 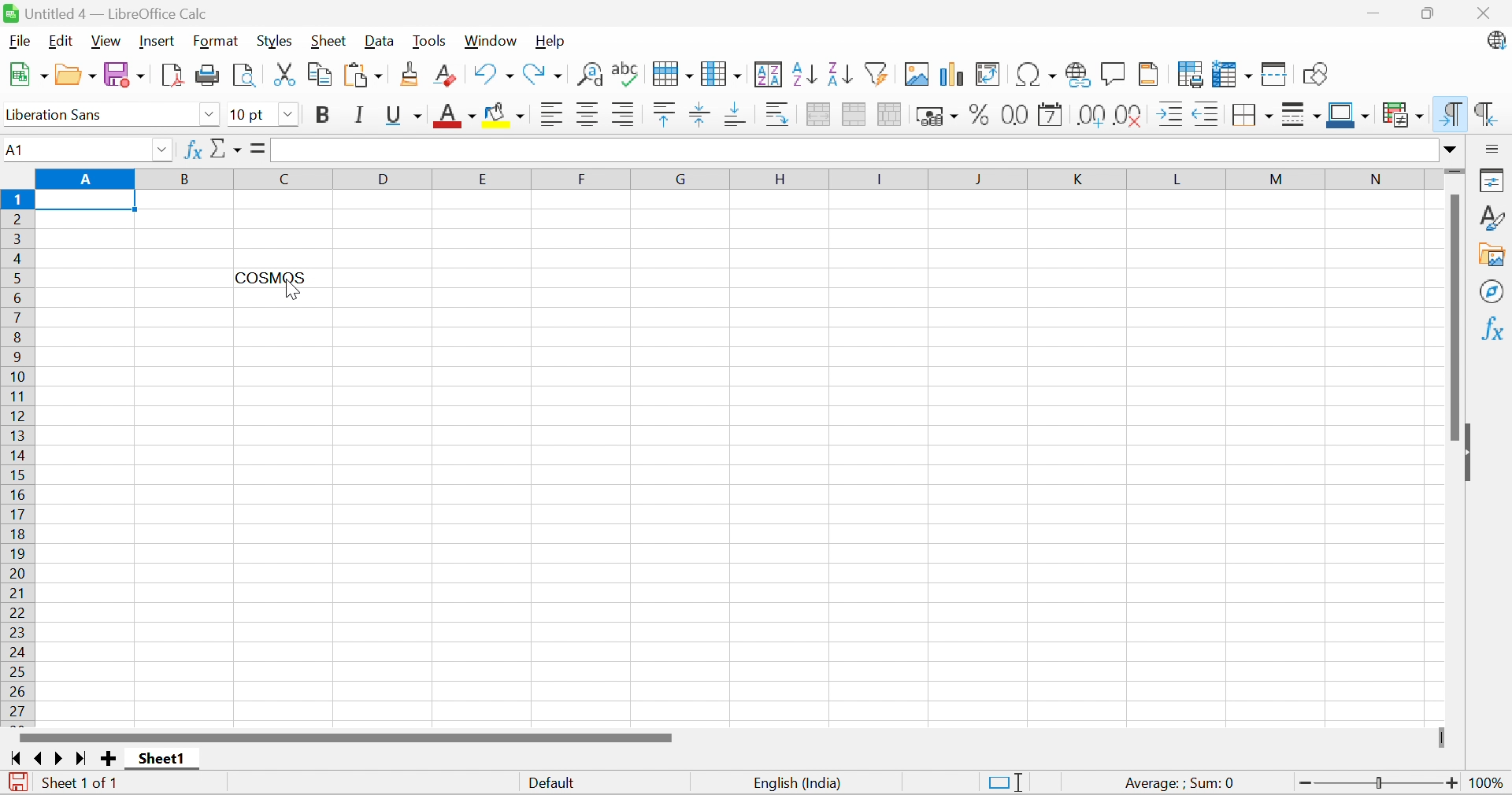 What do you see at coordinates (322, 75) in the screenshot?
I see `Copy` at bounding box center [322, 75].